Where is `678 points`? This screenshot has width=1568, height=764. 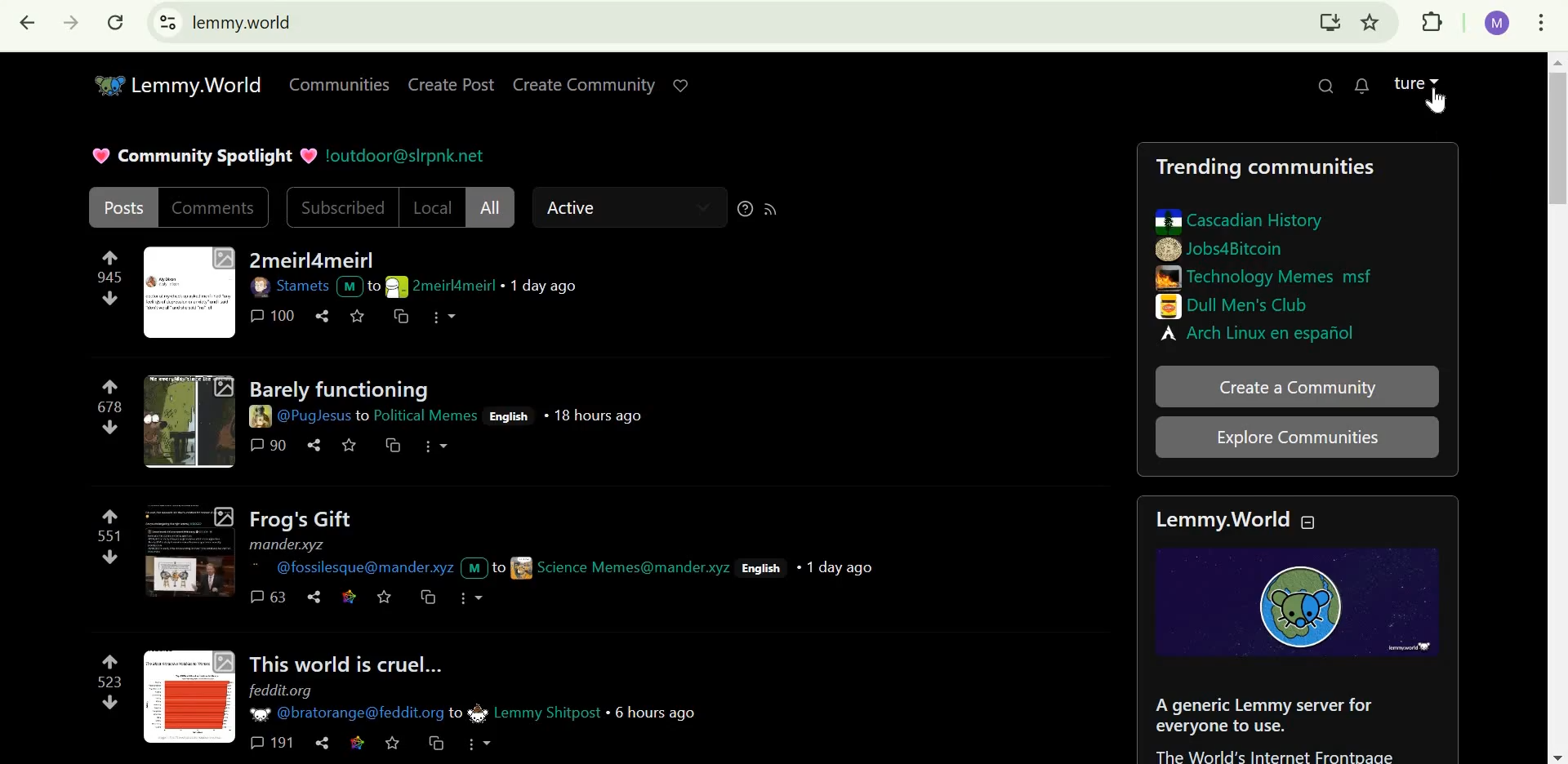 678 points is located at coordinates (108, 406).